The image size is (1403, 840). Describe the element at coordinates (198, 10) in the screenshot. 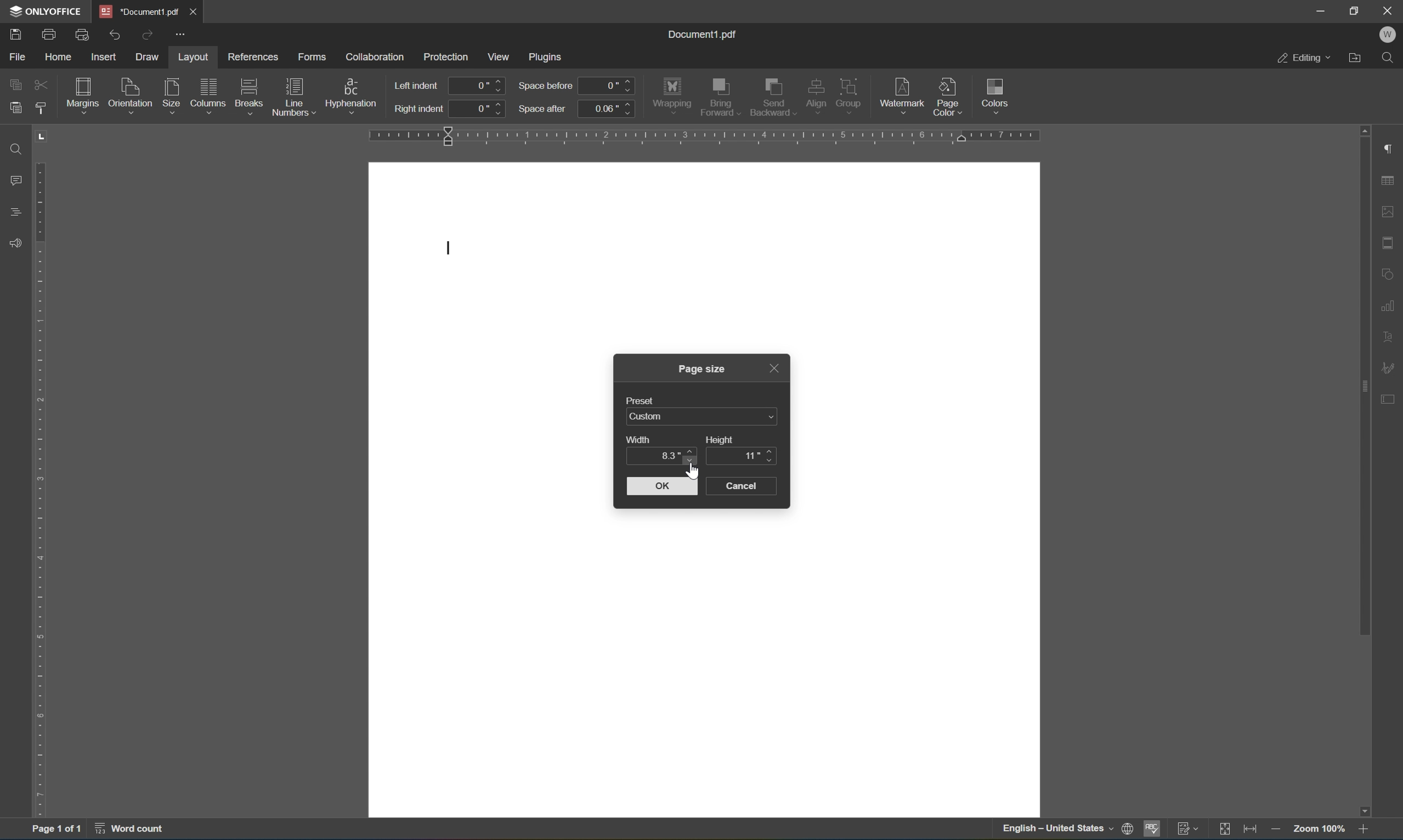

I see `close` at that location.